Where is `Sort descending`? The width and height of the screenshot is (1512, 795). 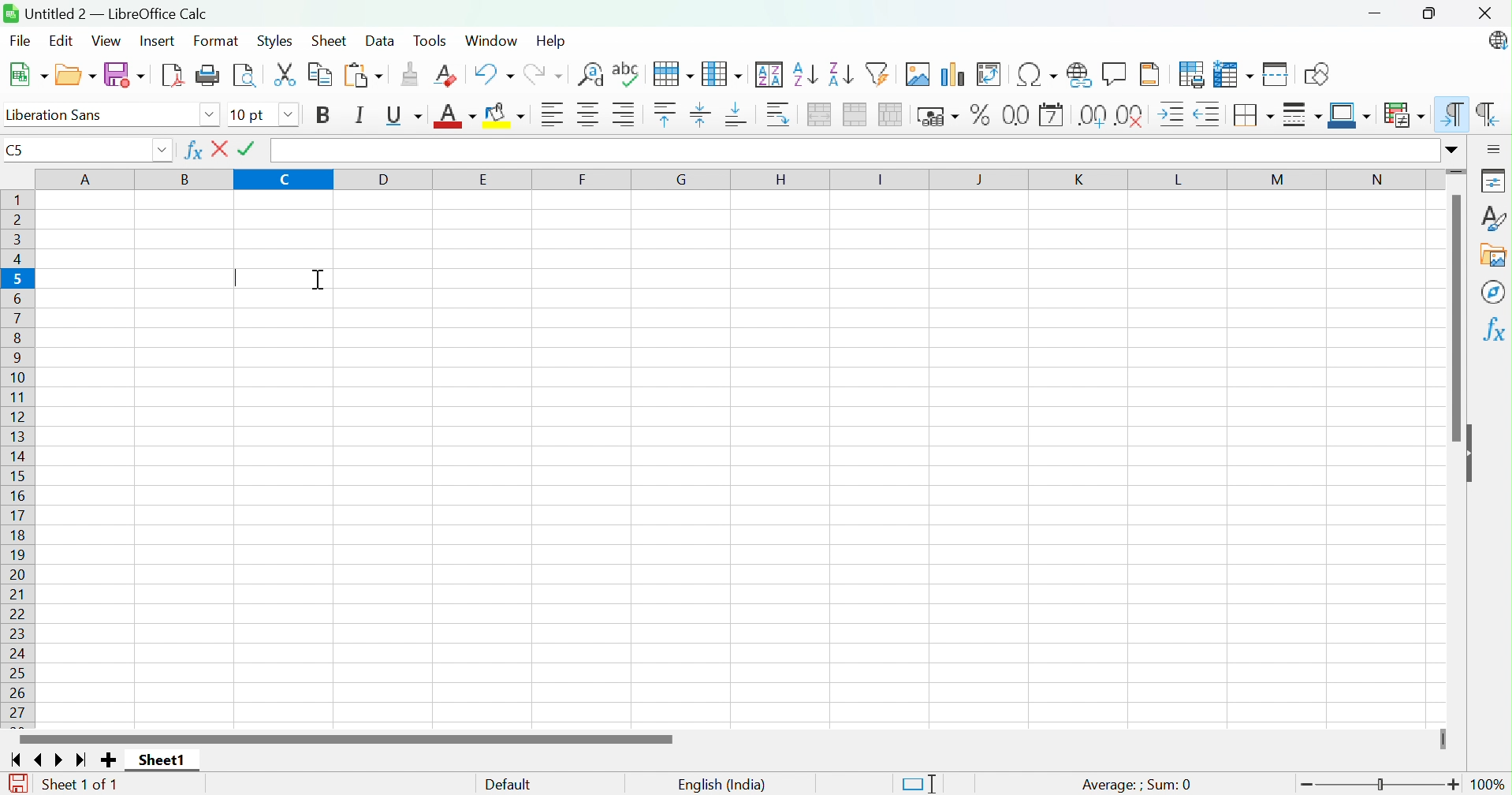
Sort descending is located at coordinates (841, 74).